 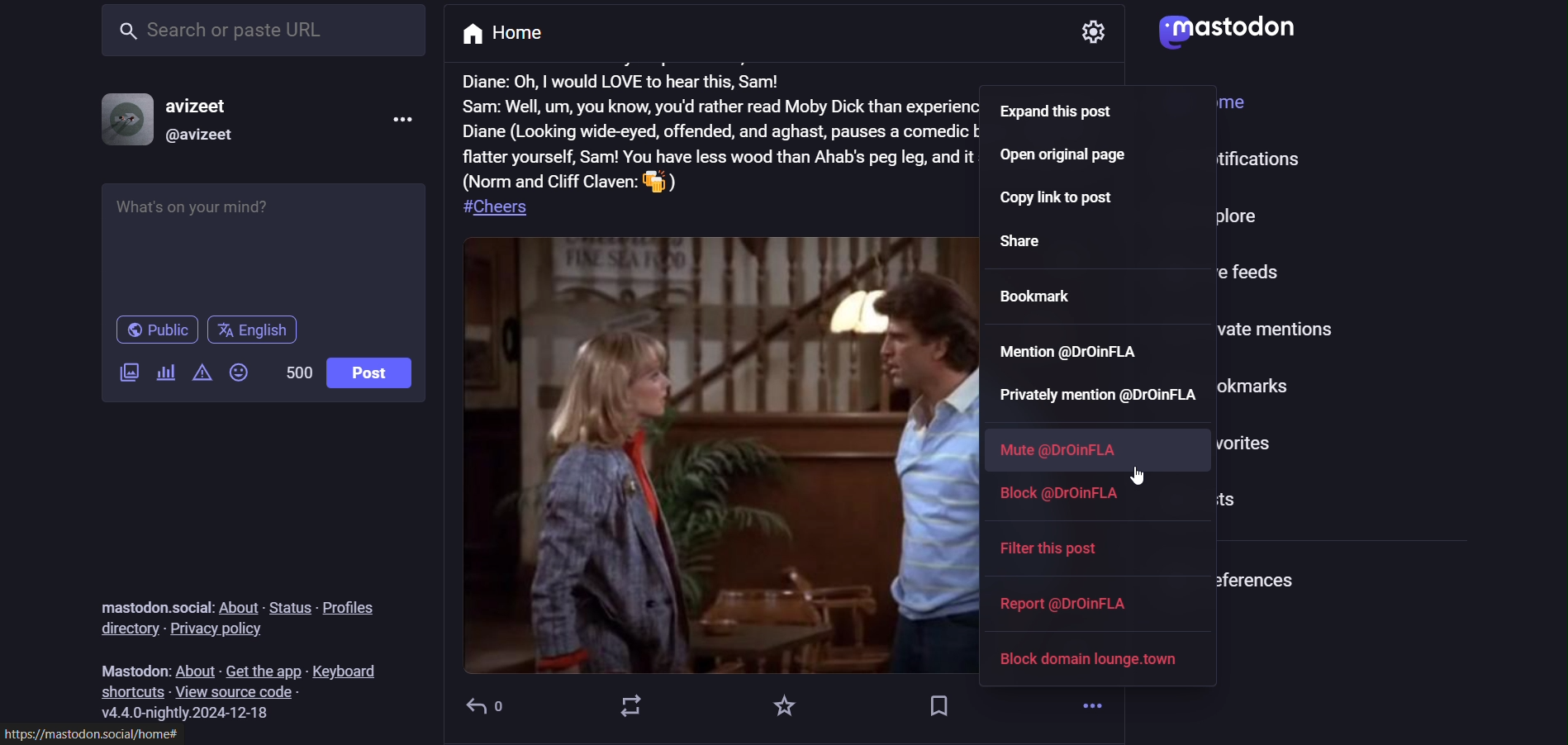 I want to click on filter this post, so click(x=1062, y=553).